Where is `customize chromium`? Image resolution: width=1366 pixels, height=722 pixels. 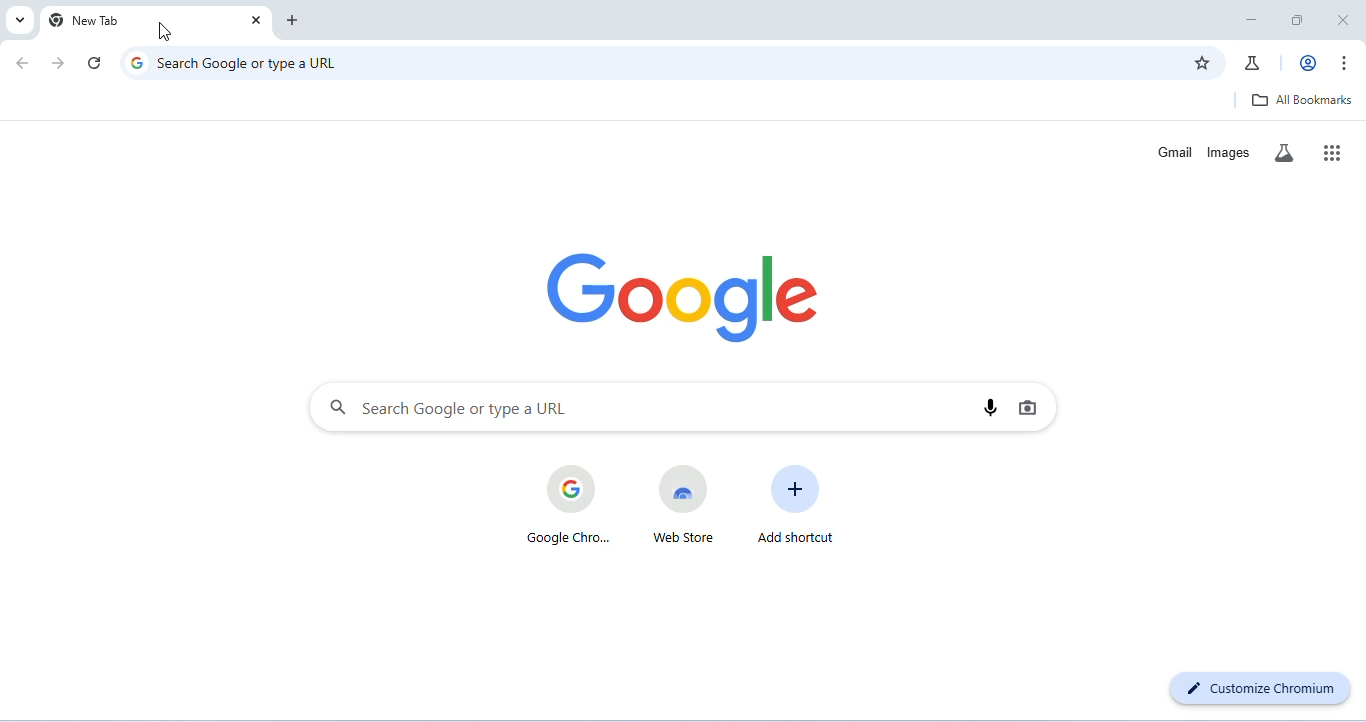 customize chromium is located at coordinates (1262, 686).